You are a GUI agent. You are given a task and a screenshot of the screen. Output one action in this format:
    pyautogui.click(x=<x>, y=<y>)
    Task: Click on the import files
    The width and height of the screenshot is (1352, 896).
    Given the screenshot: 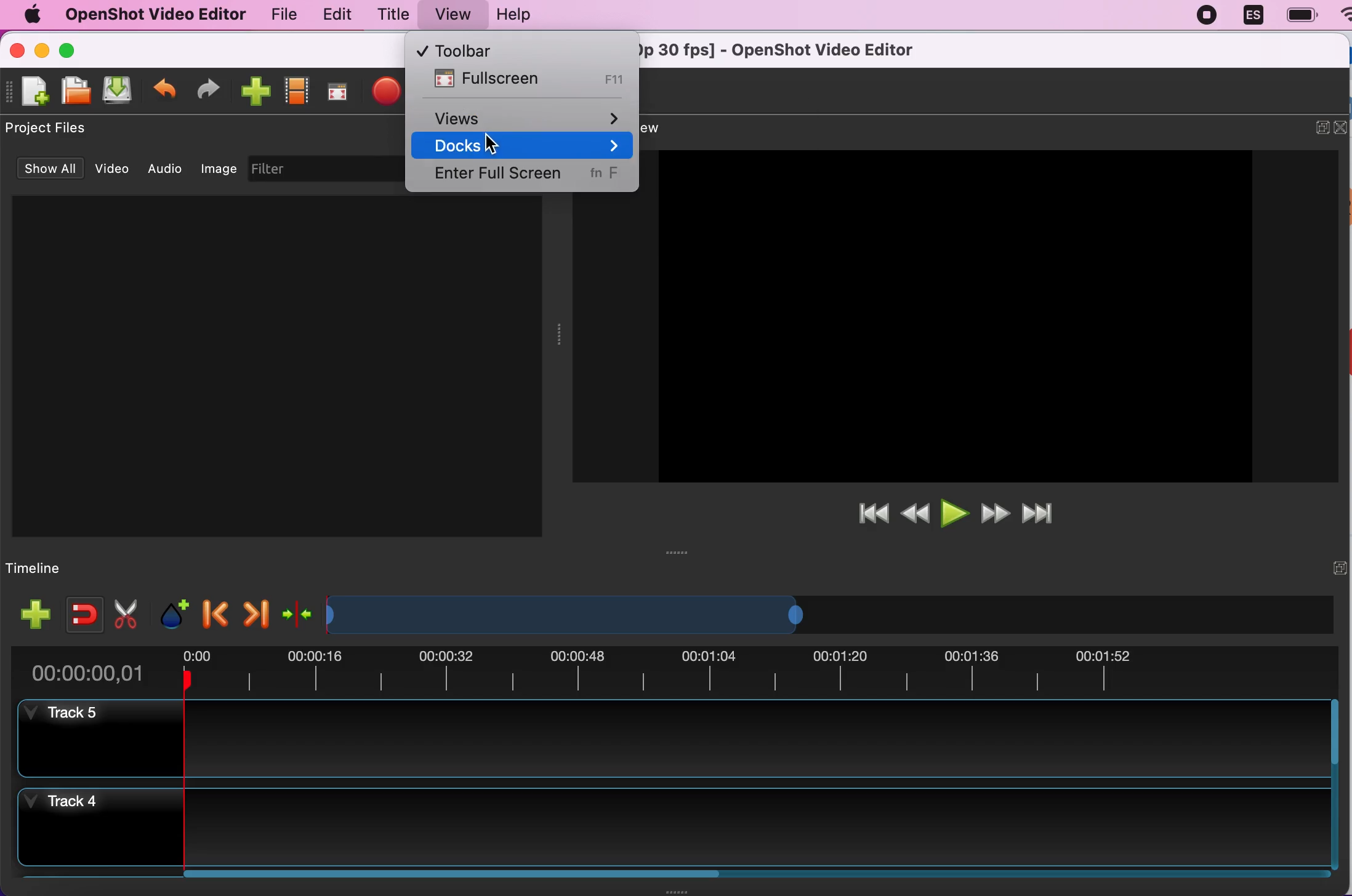 What is the action you would take?
    pyautogui.click(x=254, y=89)
    